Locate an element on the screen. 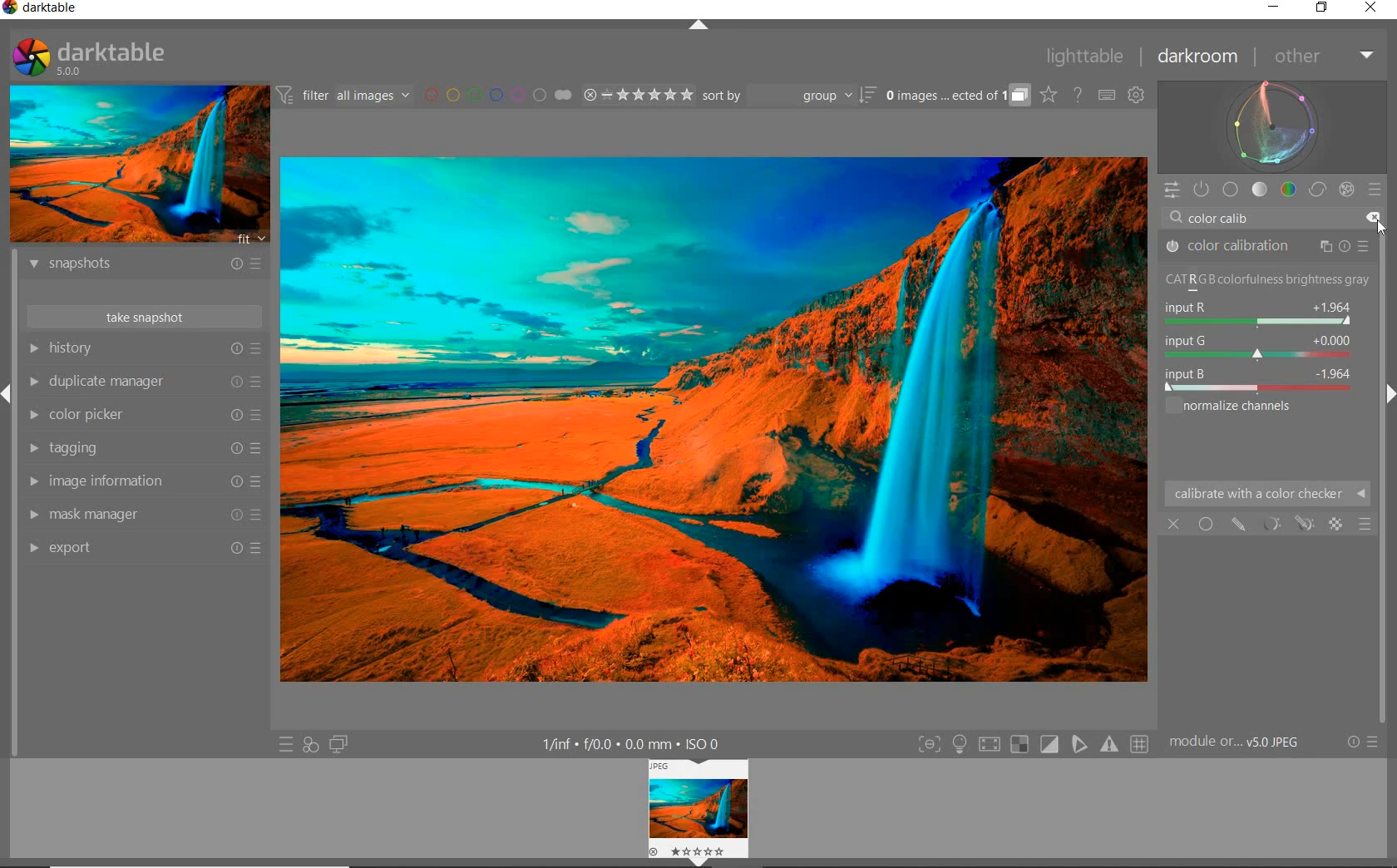  mask manager is located at coordinates (146, 515).